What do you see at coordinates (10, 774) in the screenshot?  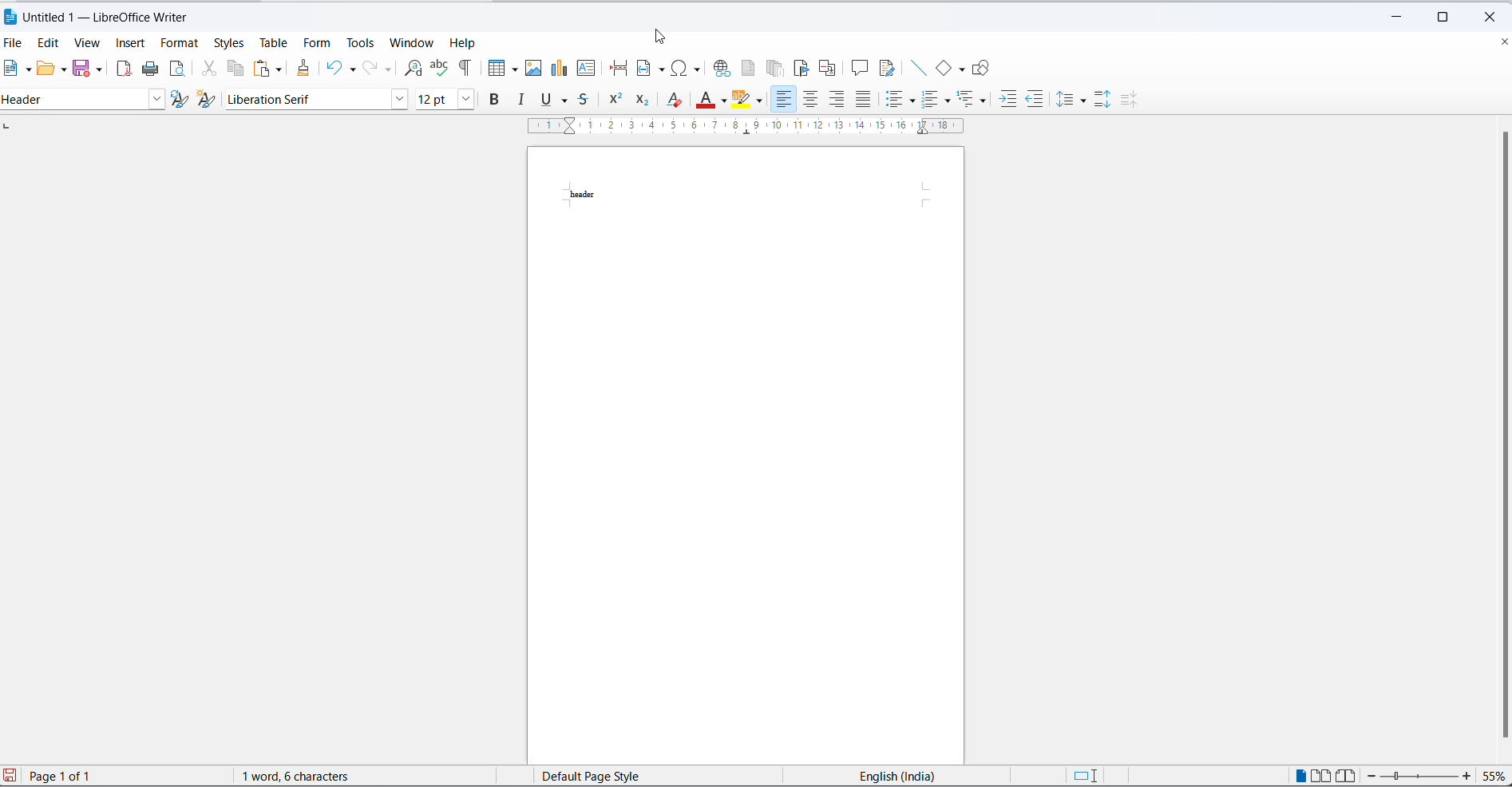 I see `save` at bounding box center [10, 774].